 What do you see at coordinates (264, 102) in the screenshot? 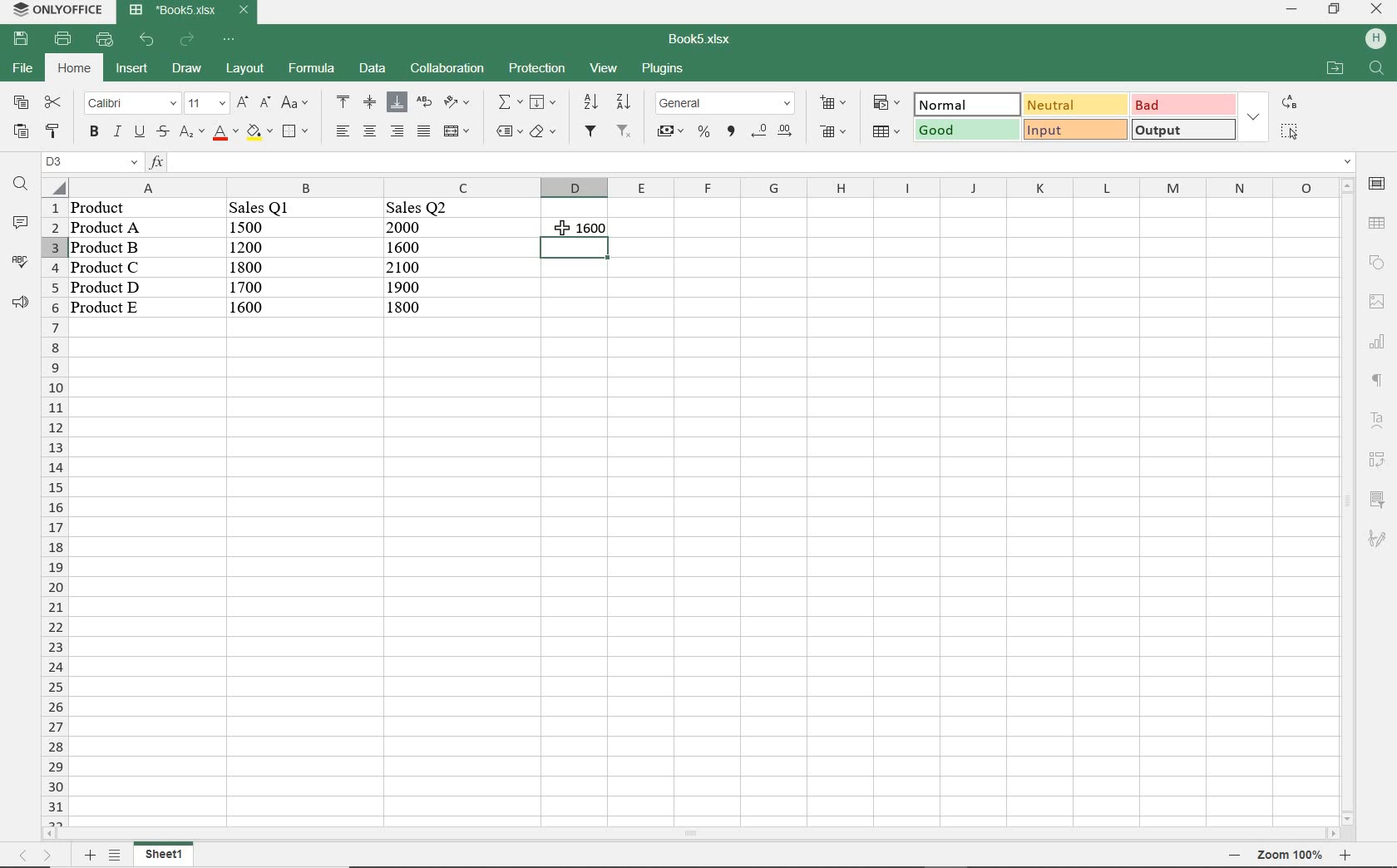
I see `decrement font size` at bounding box center [264, 102].